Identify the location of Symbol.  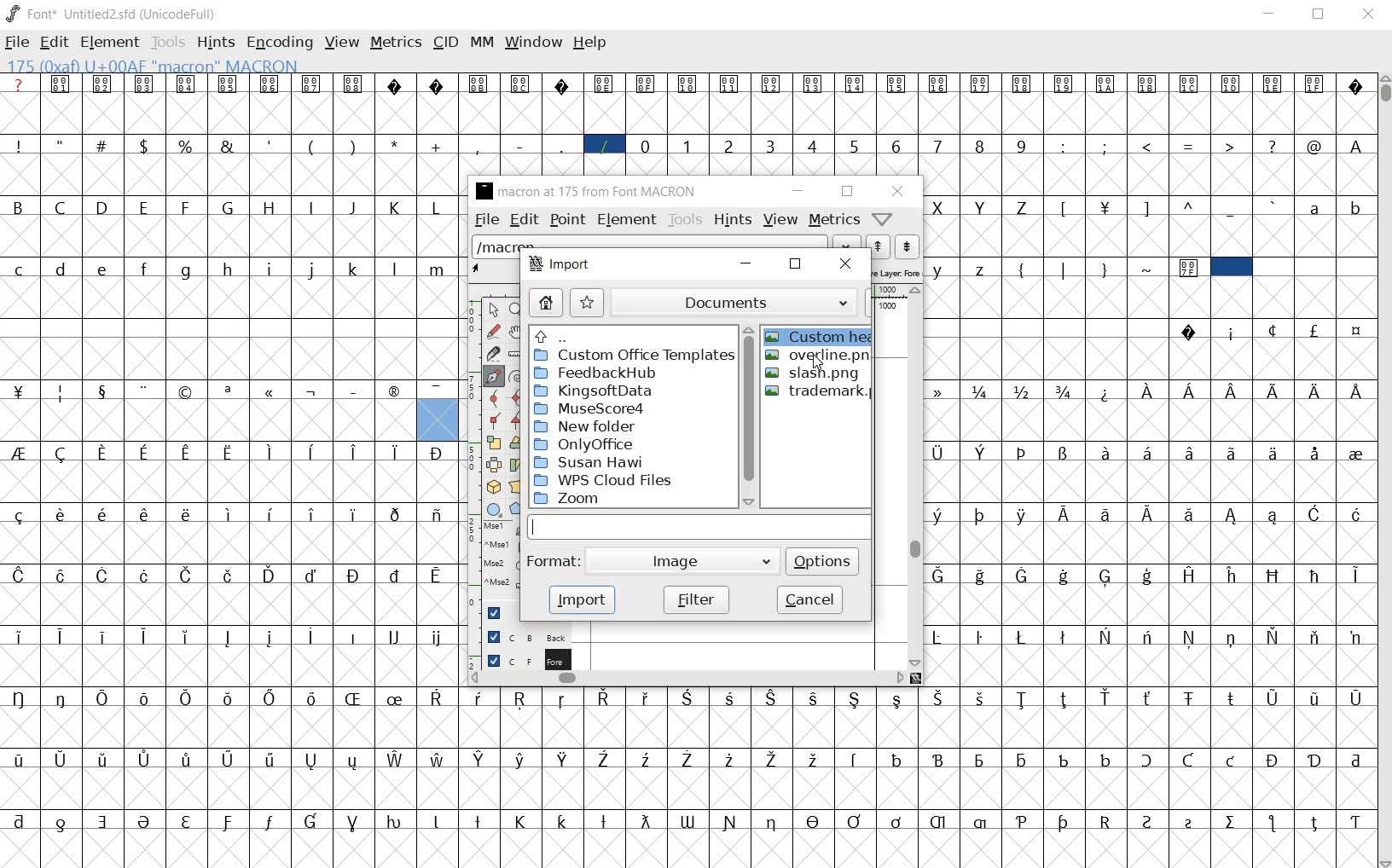
(1232, 333).